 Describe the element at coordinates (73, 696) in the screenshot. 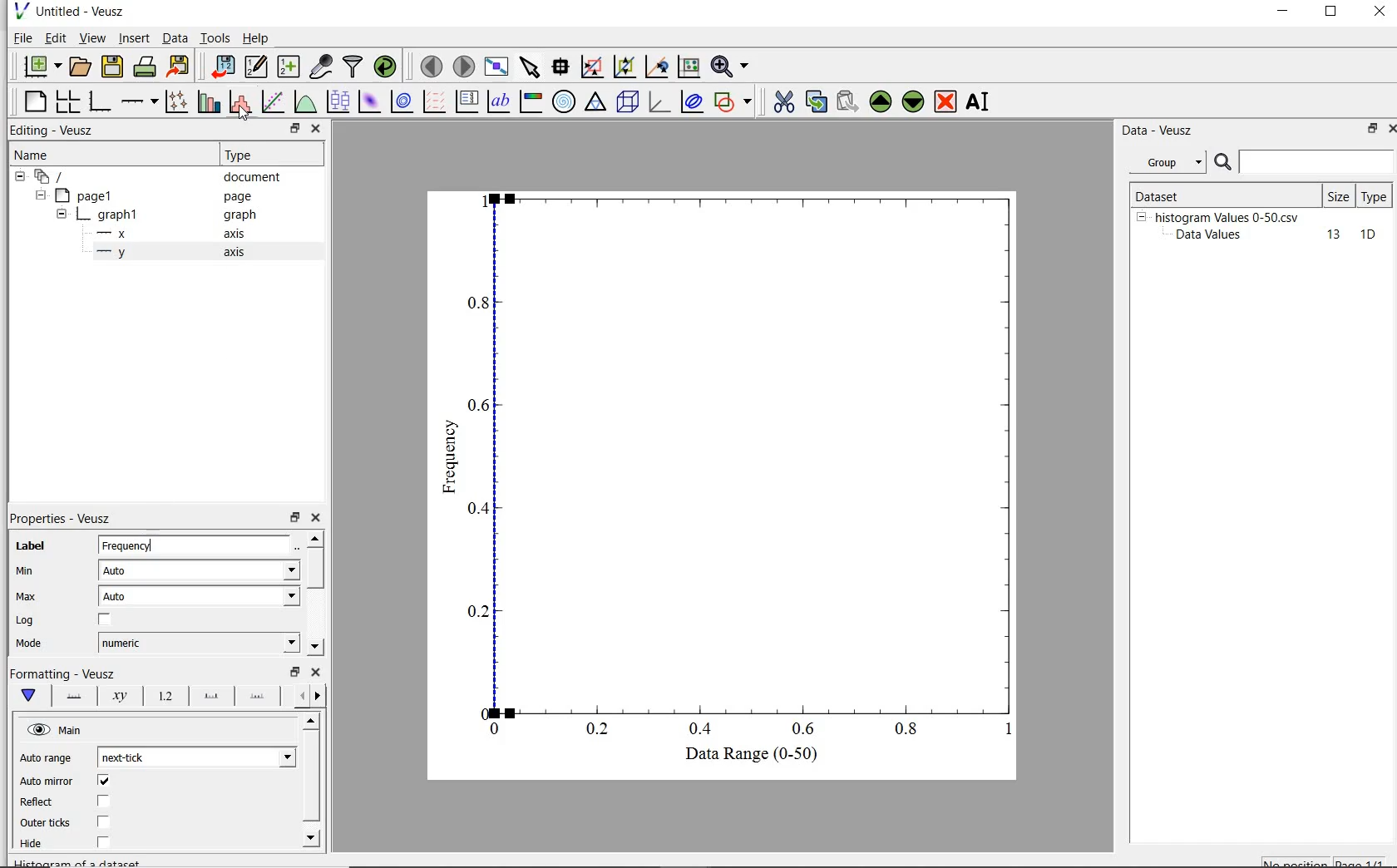

I see `axis line` at that location.